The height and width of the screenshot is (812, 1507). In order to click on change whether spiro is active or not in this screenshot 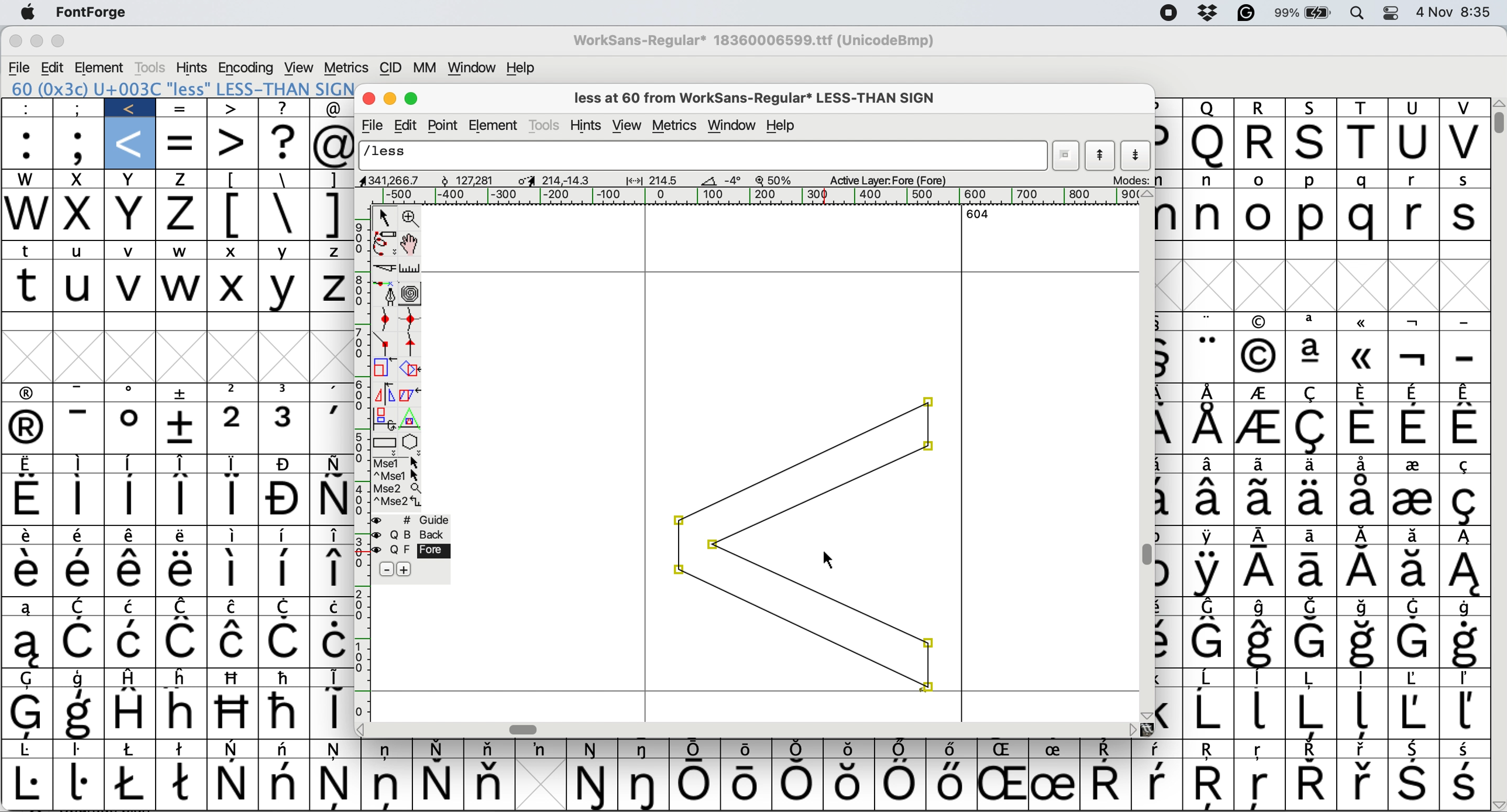, I will do `click(411, 294)`.